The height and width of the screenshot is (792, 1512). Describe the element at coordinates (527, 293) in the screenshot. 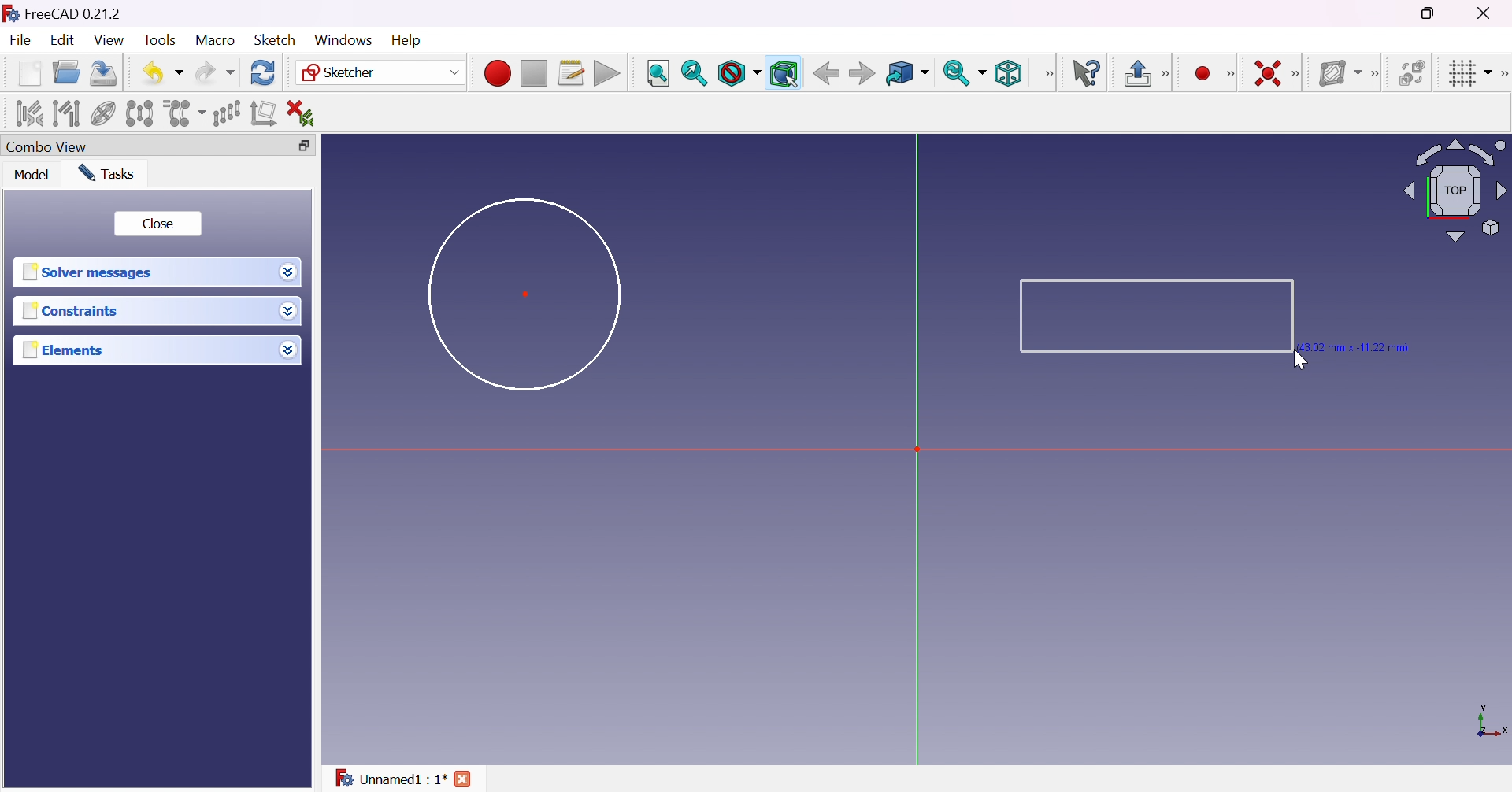

I see `Dot` at that location.